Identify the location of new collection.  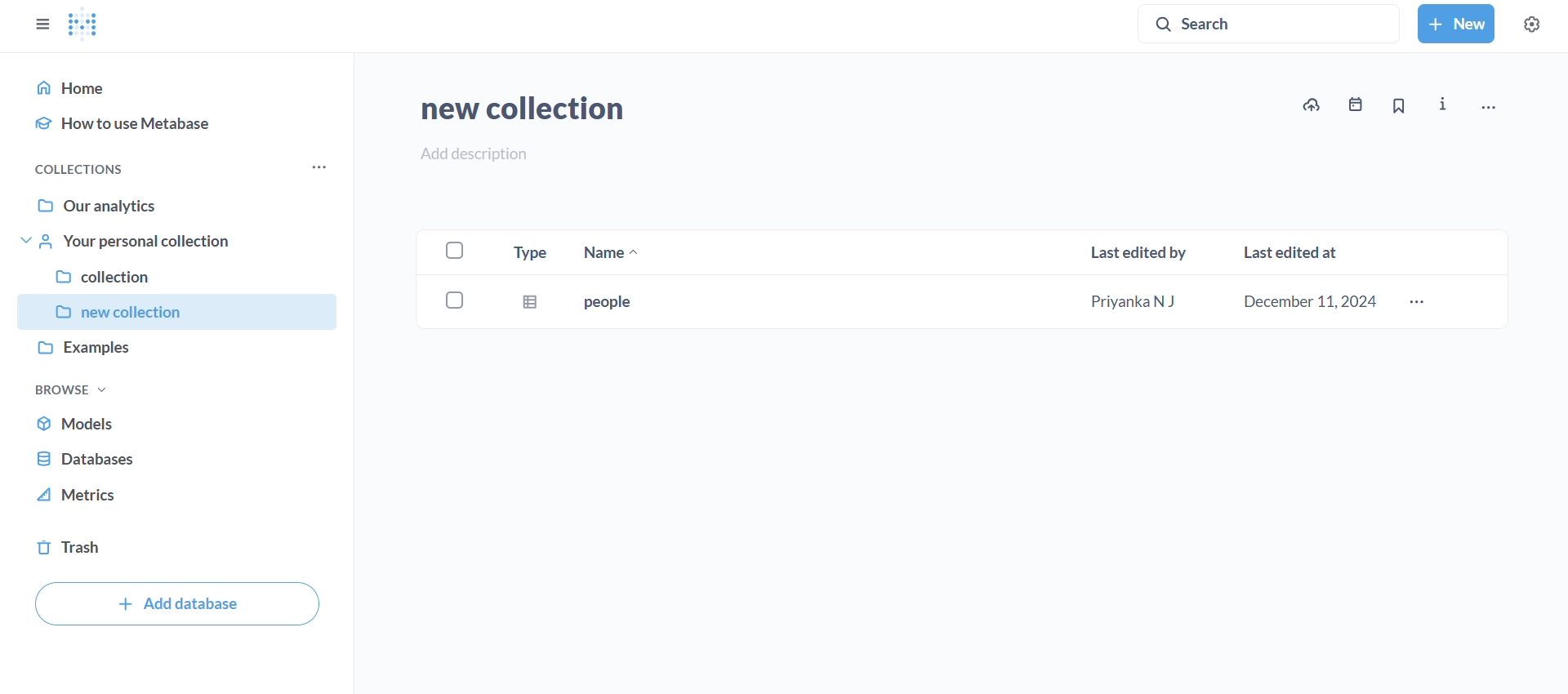
(175, 312).